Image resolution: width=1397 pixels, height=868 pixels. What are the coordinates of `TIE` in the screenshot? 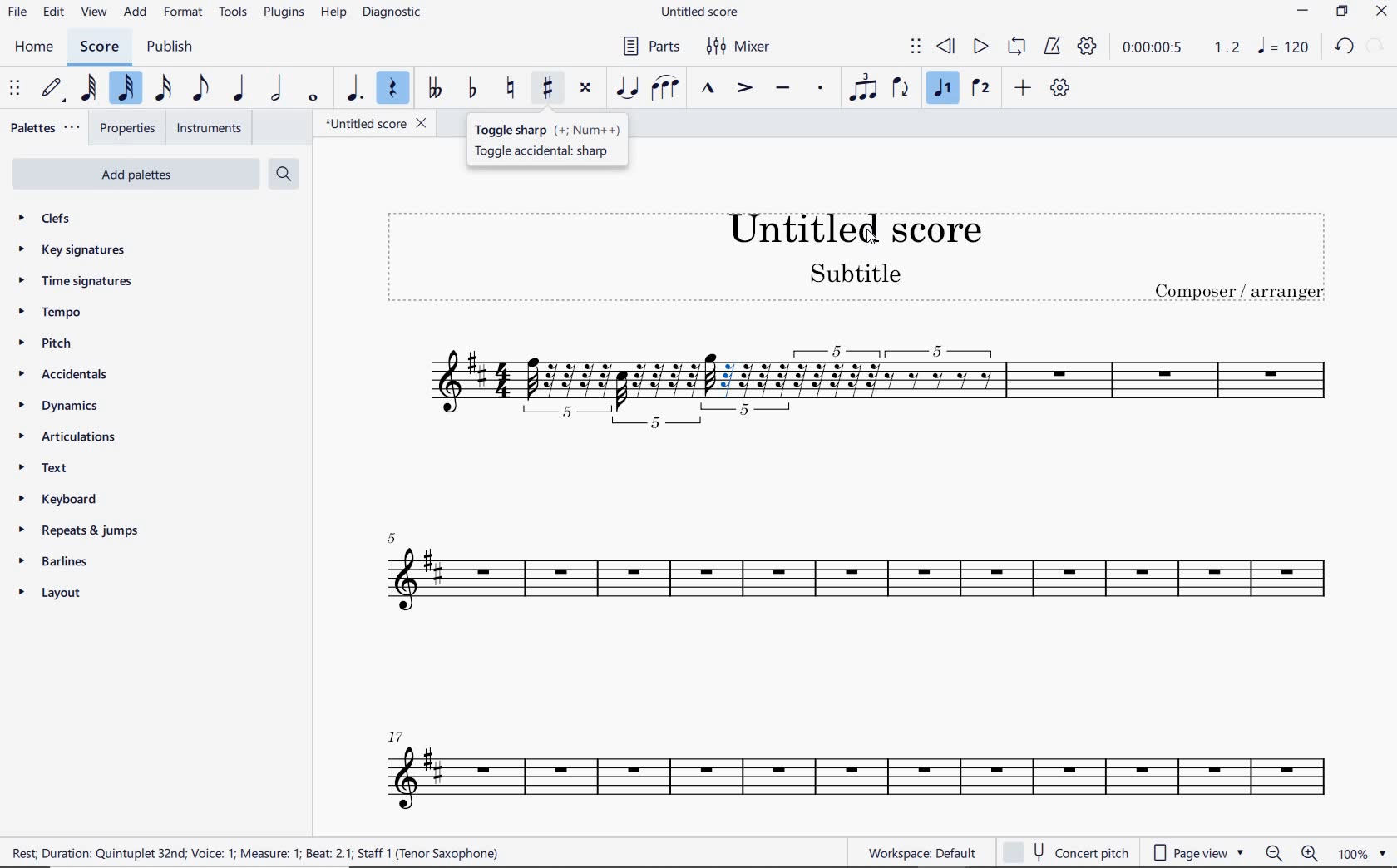 It's located at (627, 88).